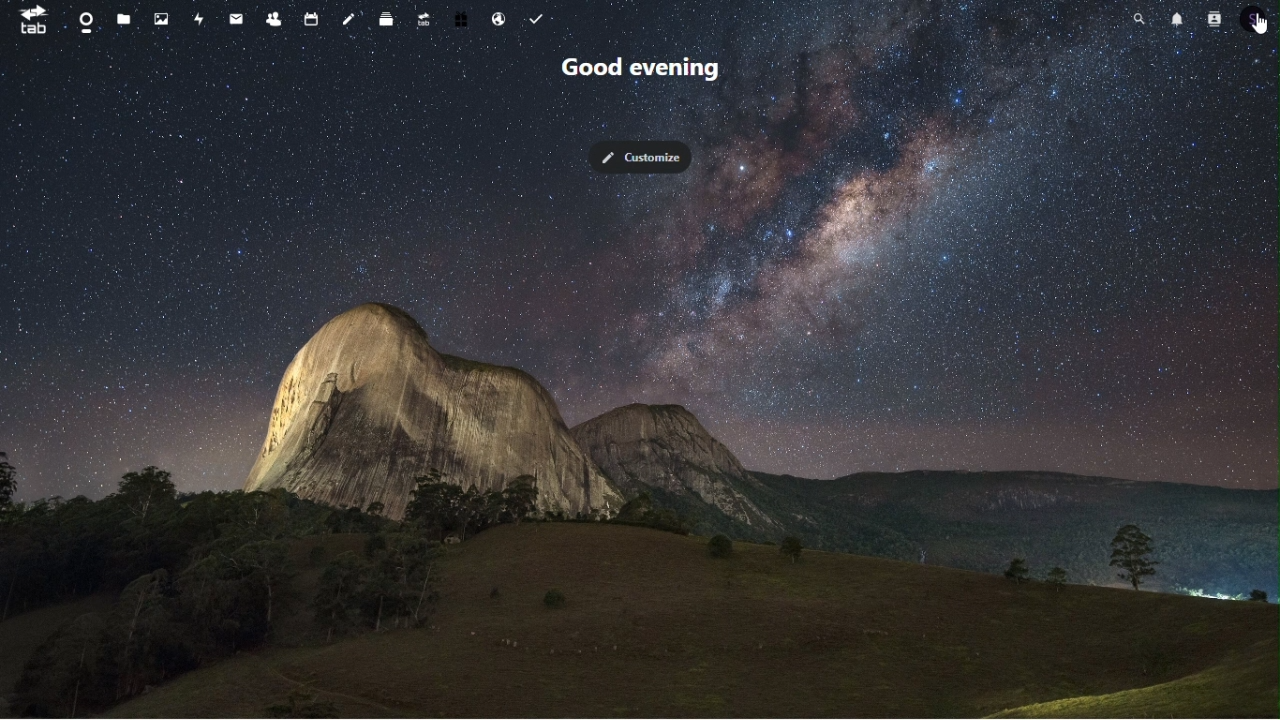  I want to click on Customize, so click(646, 158).